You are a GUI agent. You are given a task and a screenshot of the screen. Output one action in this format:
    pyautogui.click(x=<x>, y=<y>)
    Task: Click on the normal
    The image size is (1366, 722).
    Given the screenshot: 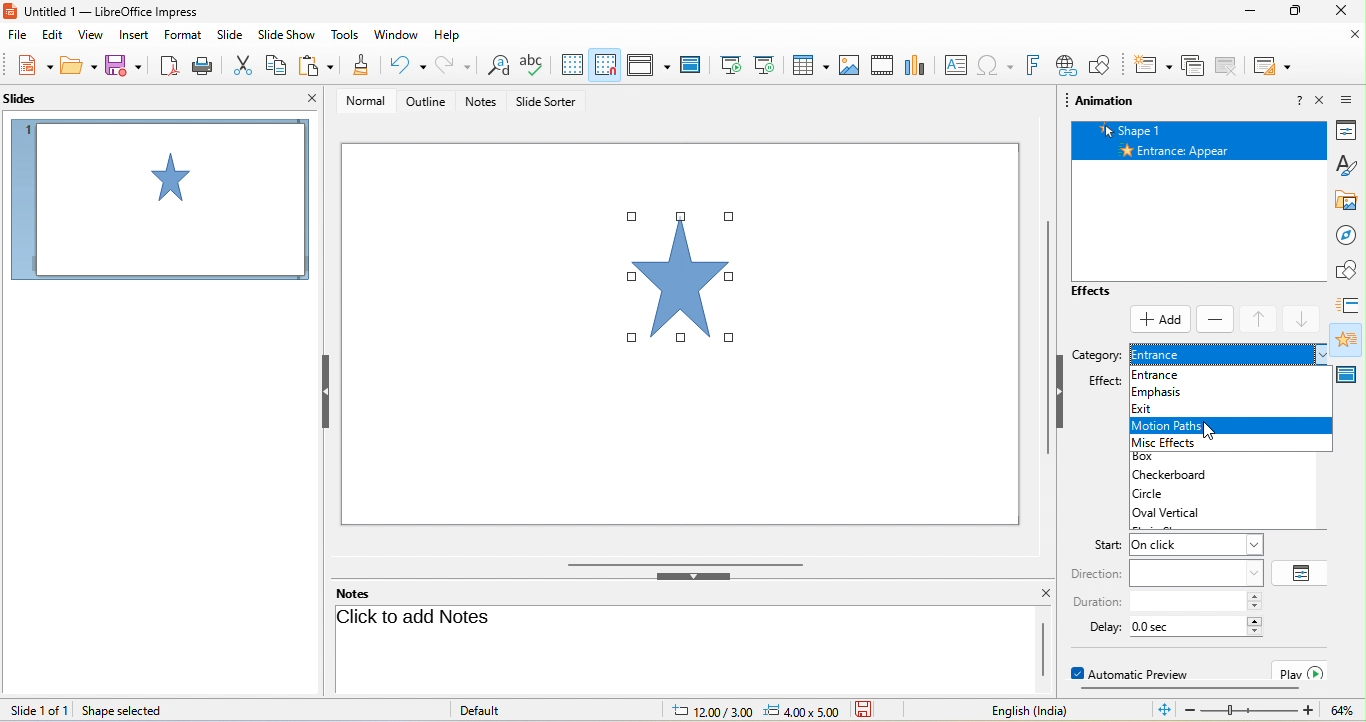 What is the action you would take?
    pyautogui.click(x=369, y=104)
    